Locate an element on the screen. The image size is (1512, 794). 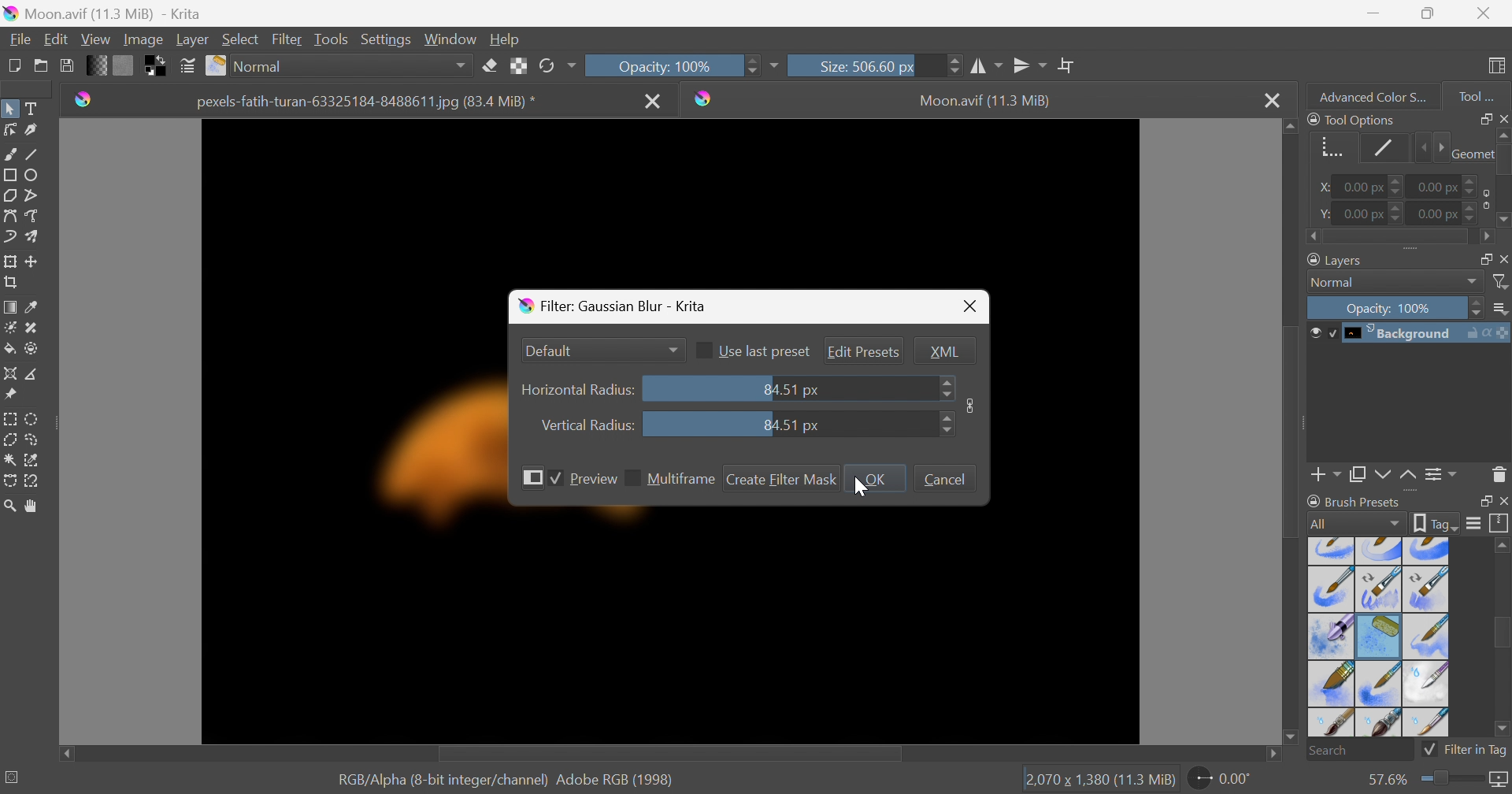
Opacity: 100% is located at coordinates (1393, 306).